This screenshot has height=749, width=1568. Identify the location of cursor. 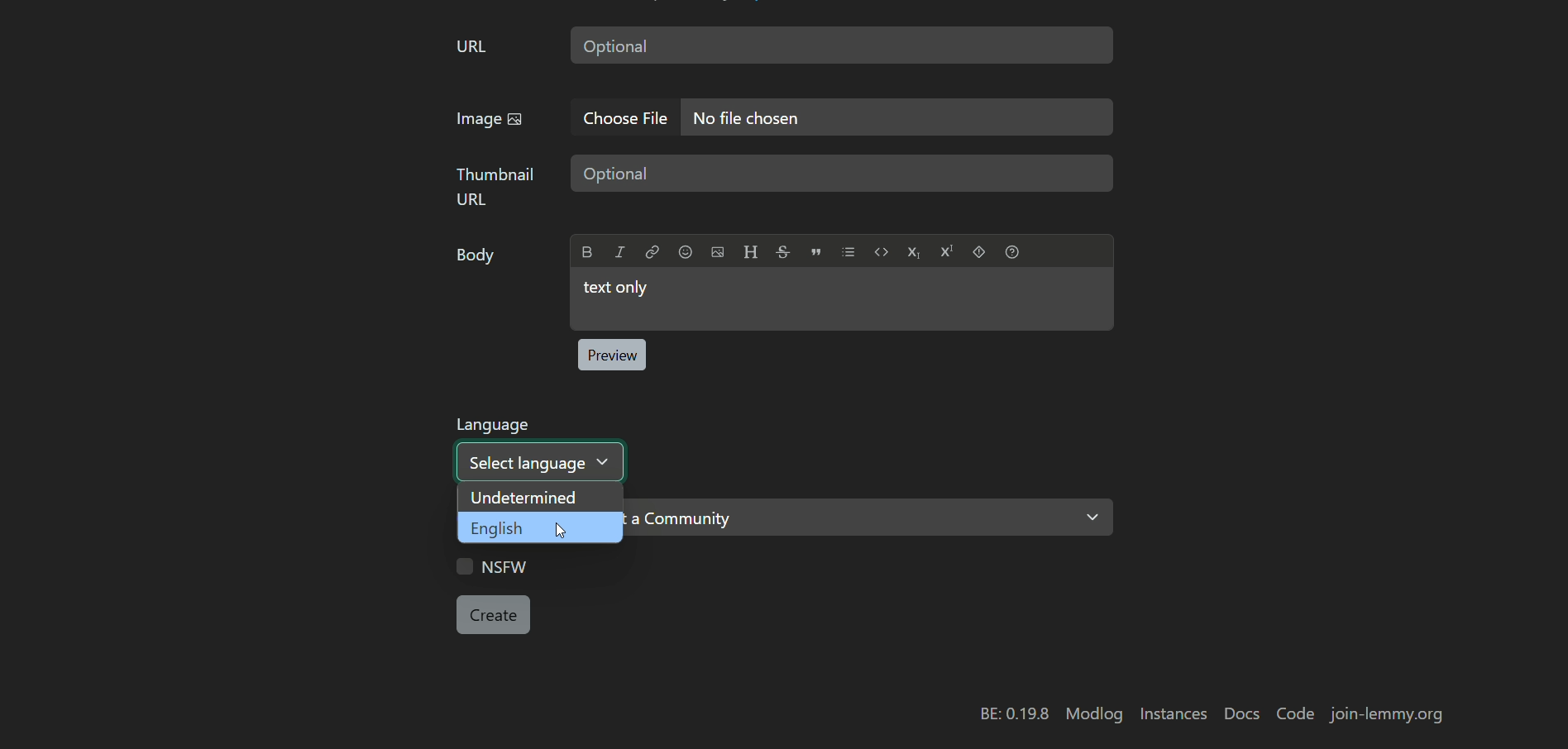
(561, 530).